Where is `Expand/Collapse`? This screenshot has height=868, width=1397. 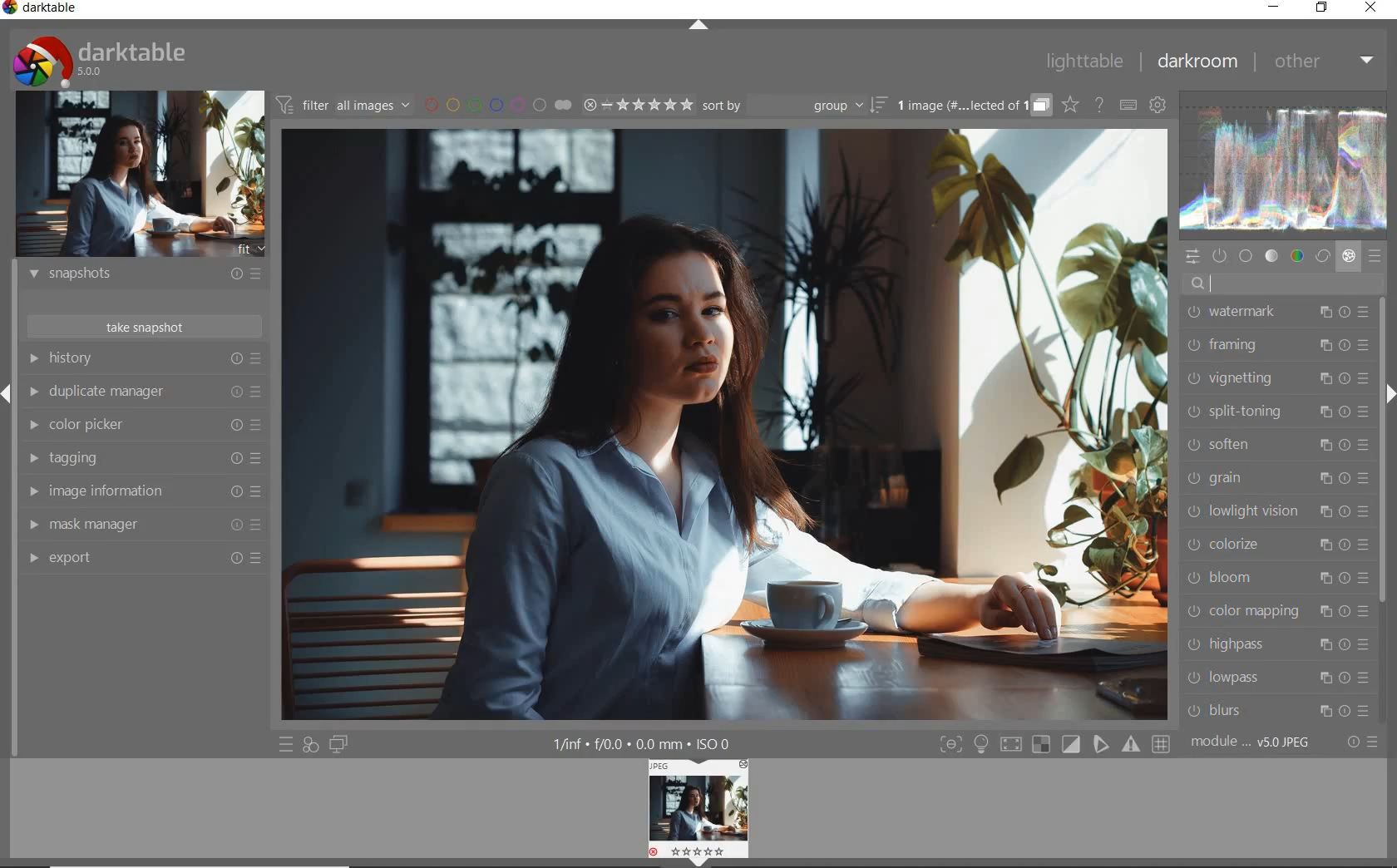 Expand/Collapse is located at coordinates (1389, 394).